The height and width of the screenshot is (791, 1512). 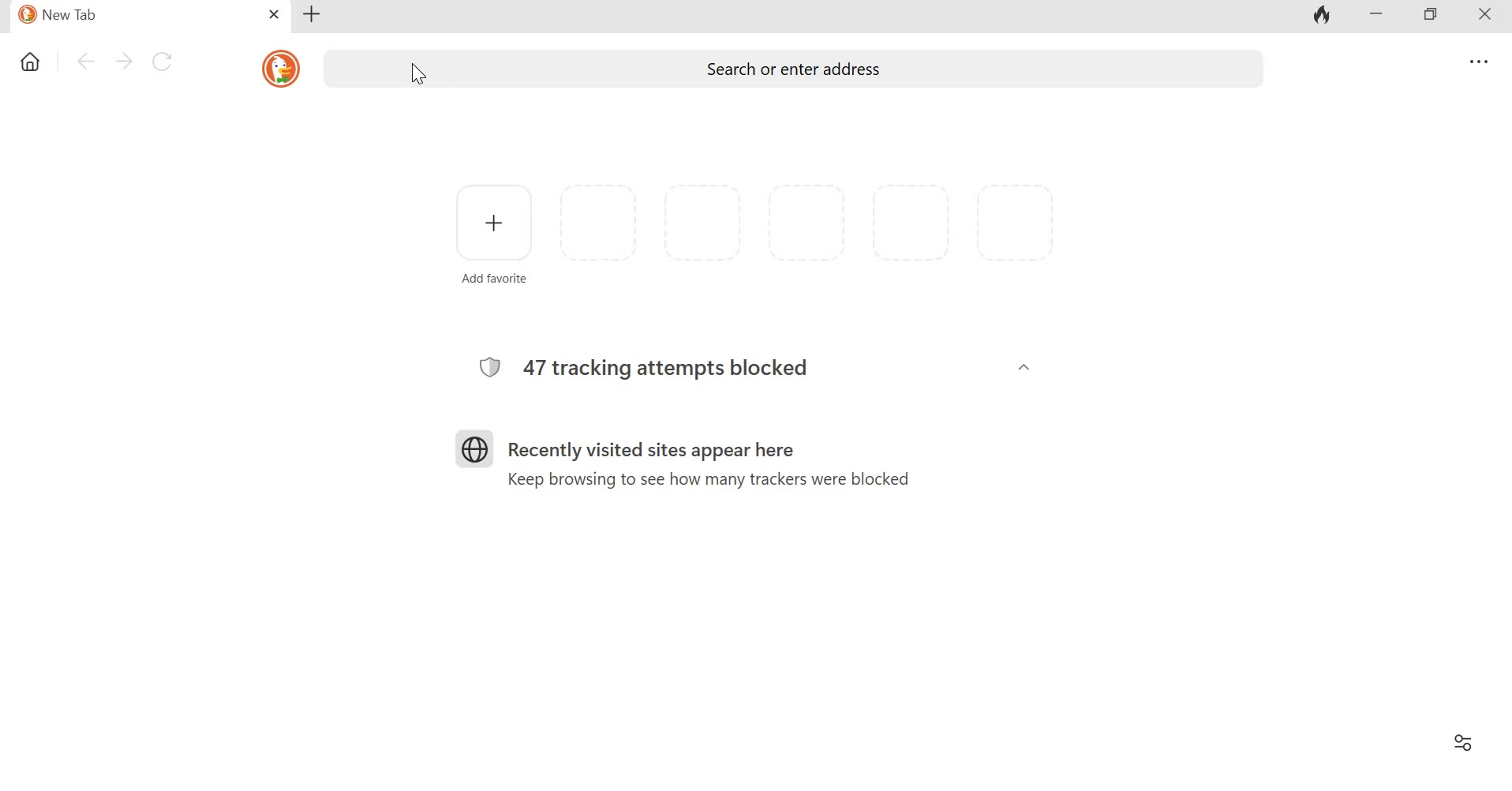 What do you see at coordinates (1378, 17) in the screenshot?
I see `Minimize` at bounding box center [1378, 17].